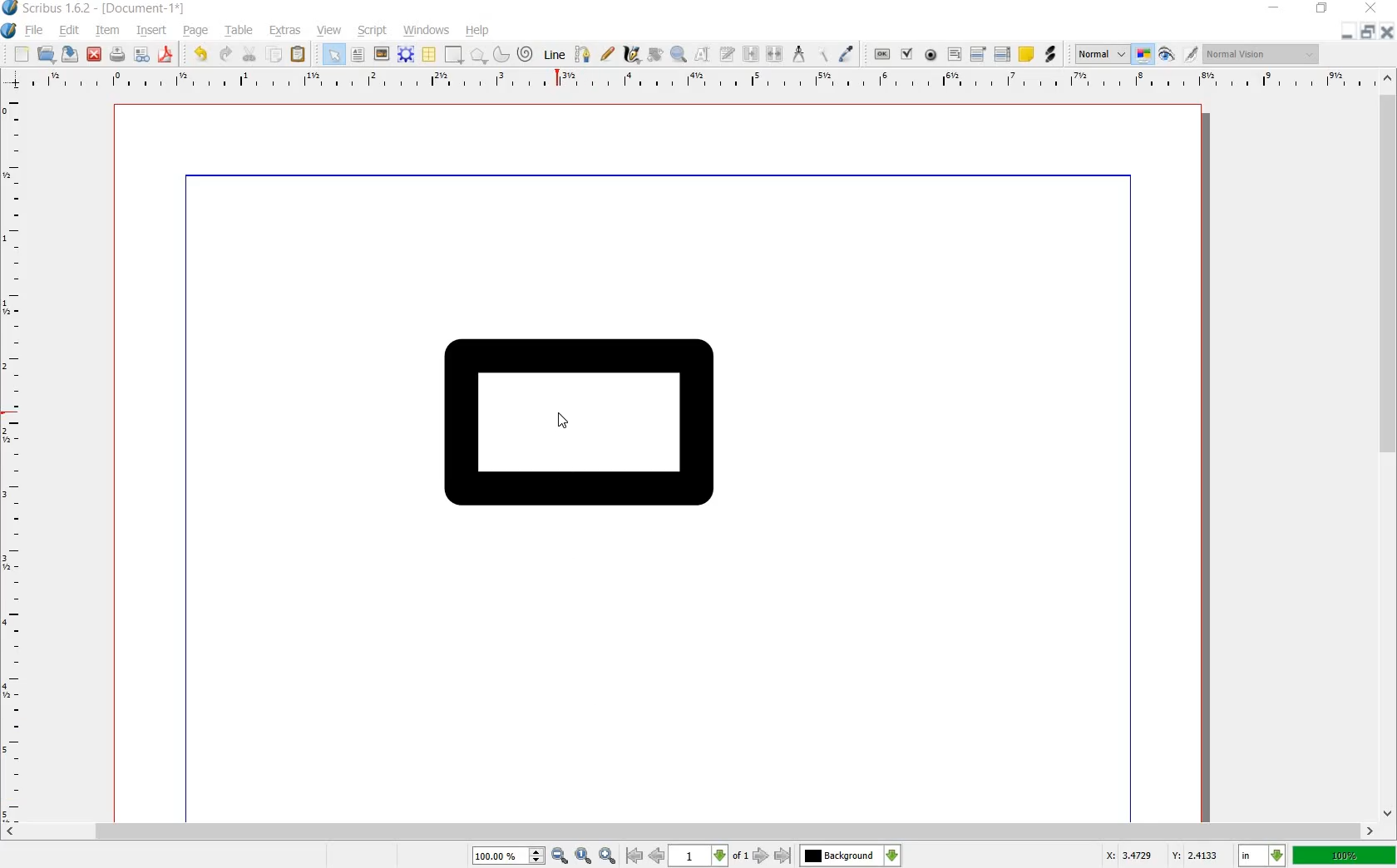 This screenshot has height=868, width=1397. I want to click on extras, so click(285, 30).